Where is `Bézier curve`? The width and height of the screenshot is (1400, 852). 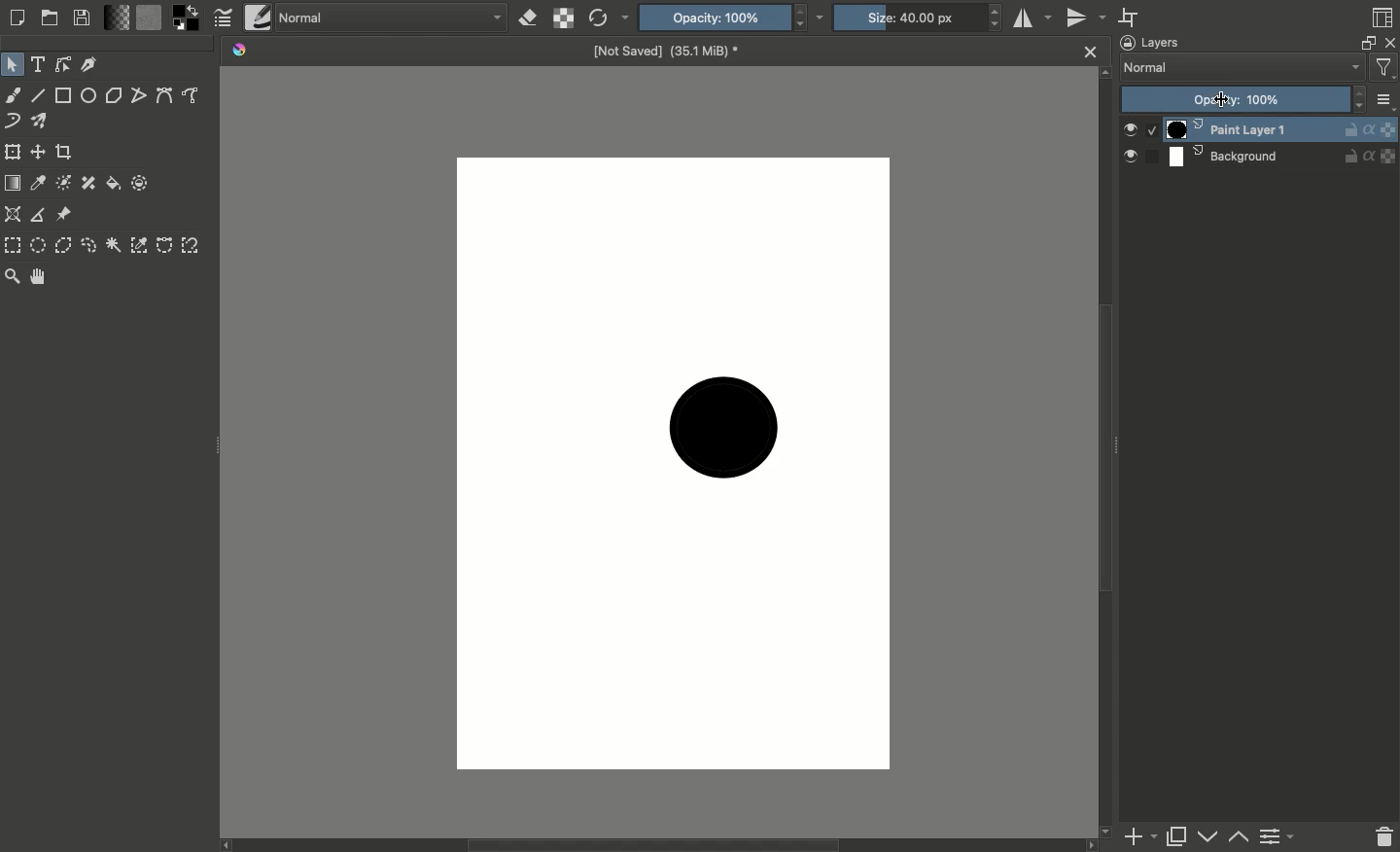
Bézier curve is located at coordinates (164, 94).